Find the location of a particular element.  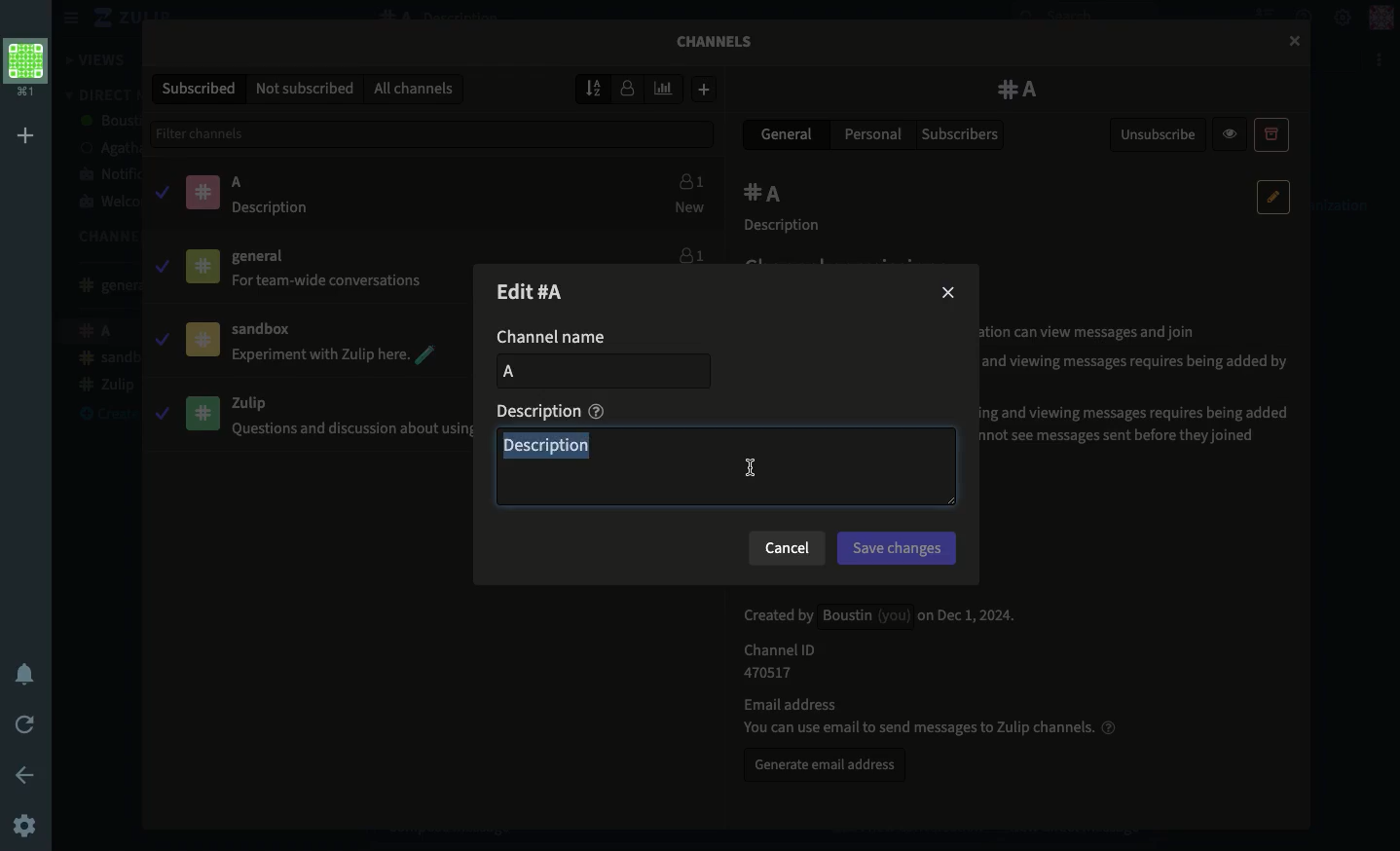

Profile is located at coordinates (1381, 18).